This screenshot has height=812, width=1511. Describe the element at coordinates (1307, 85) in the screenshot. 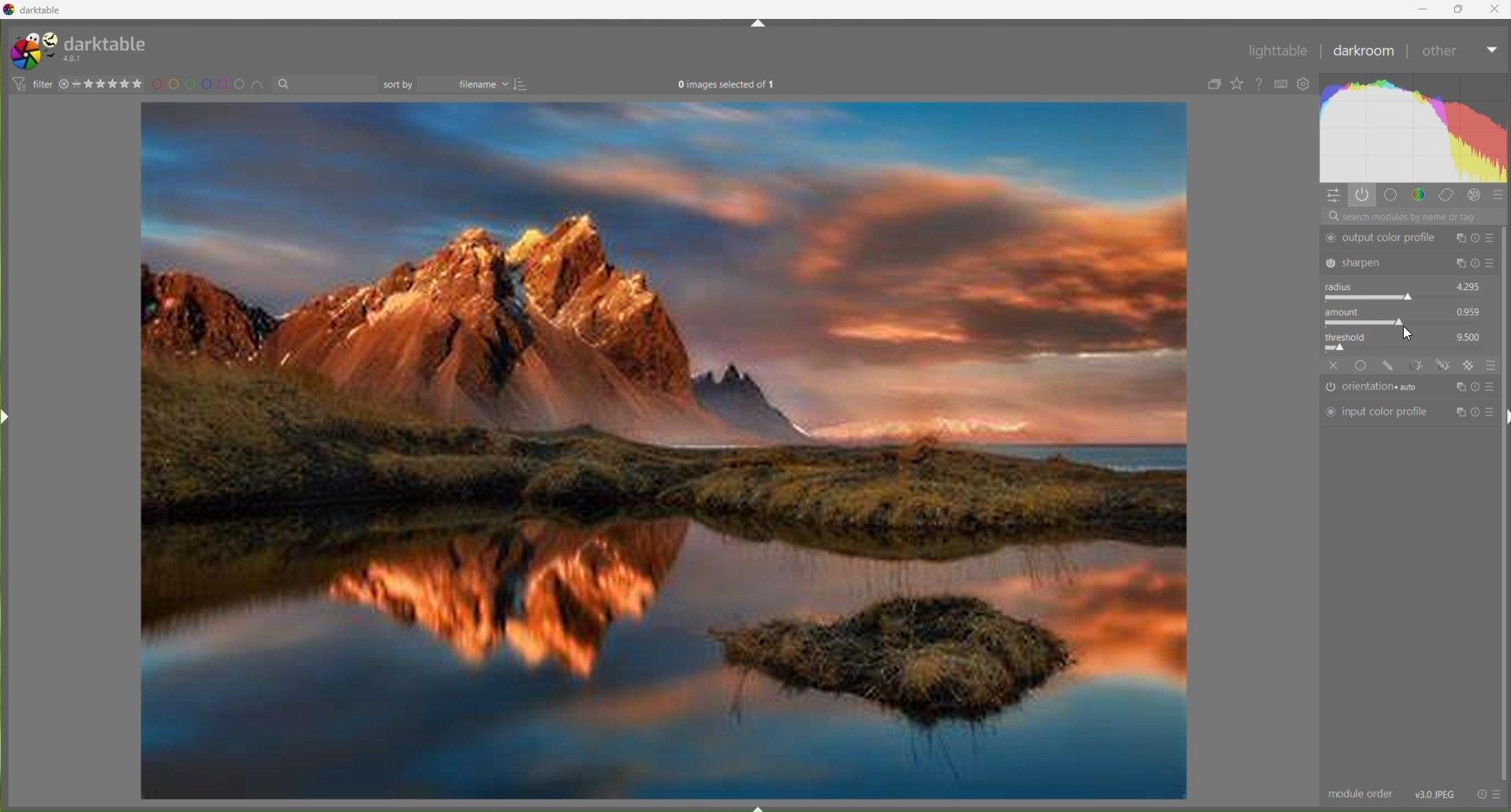

I see `Settings` at that location.